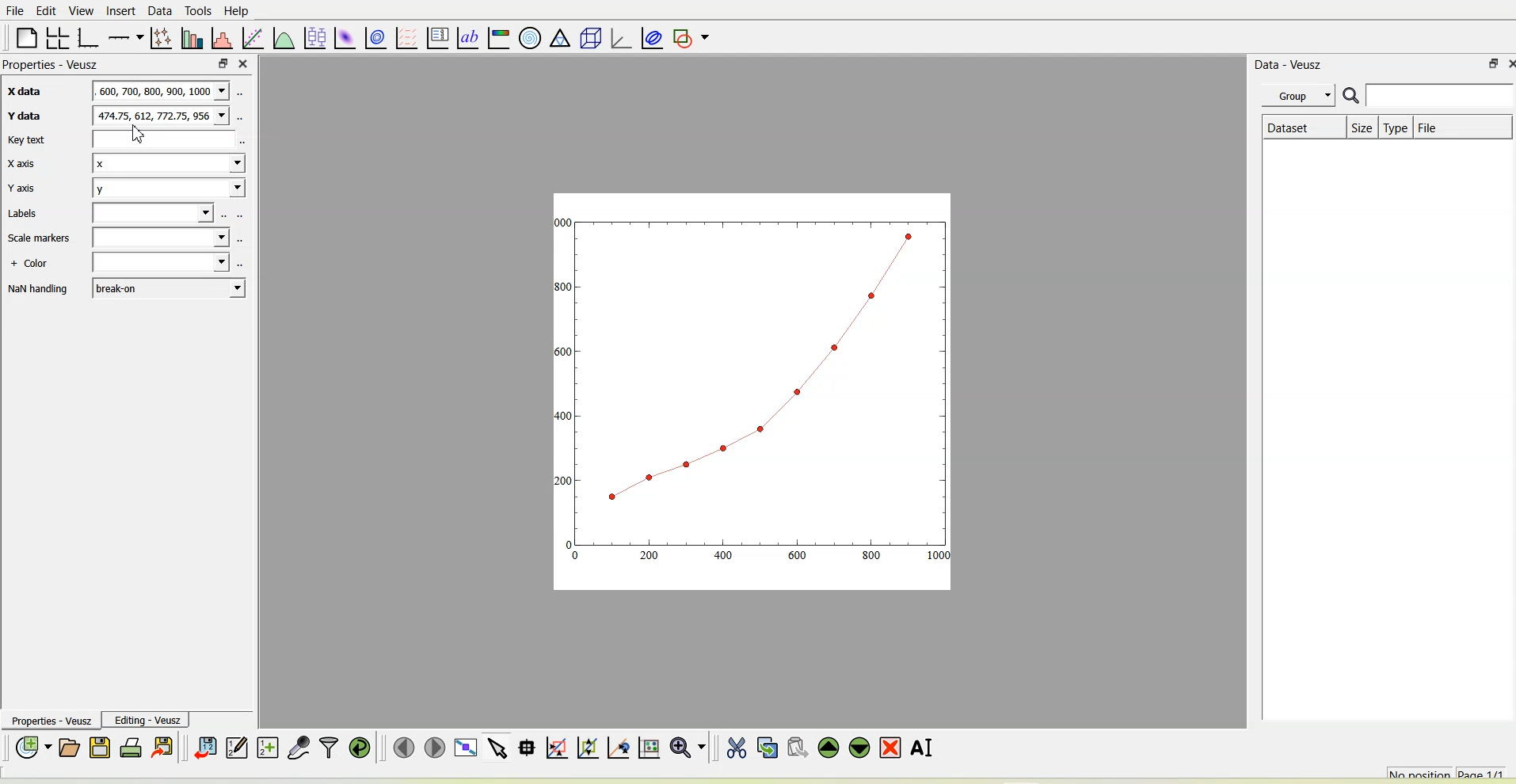  What do you see at coordinates (566, 542) in the screenshot?
I see `0` at bounding box center [566, 542].